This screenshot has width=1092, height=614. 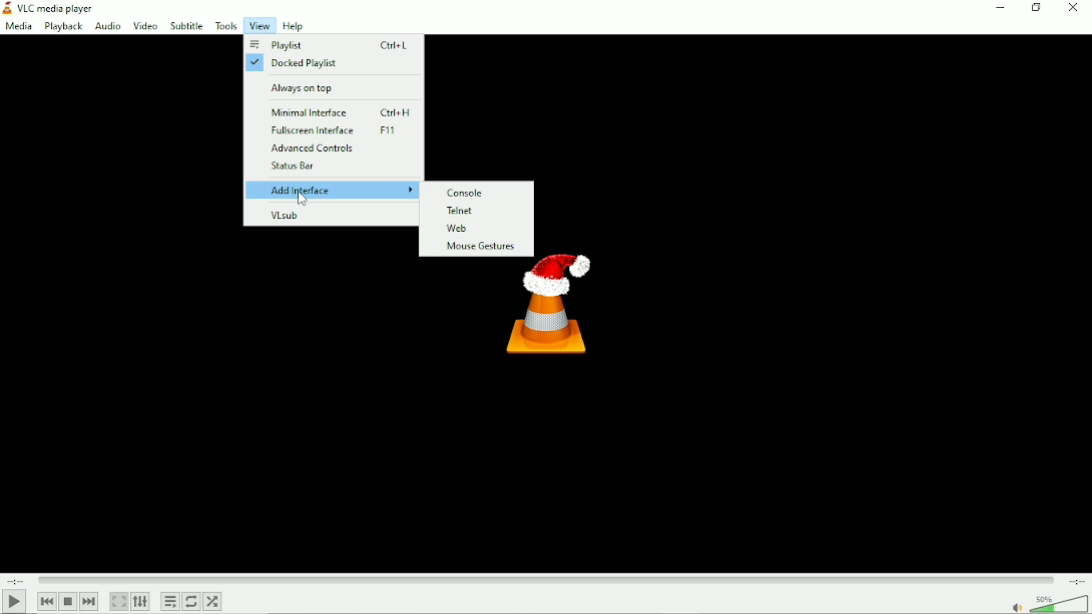 I want to click on Logo, so click(x=547, y=315).